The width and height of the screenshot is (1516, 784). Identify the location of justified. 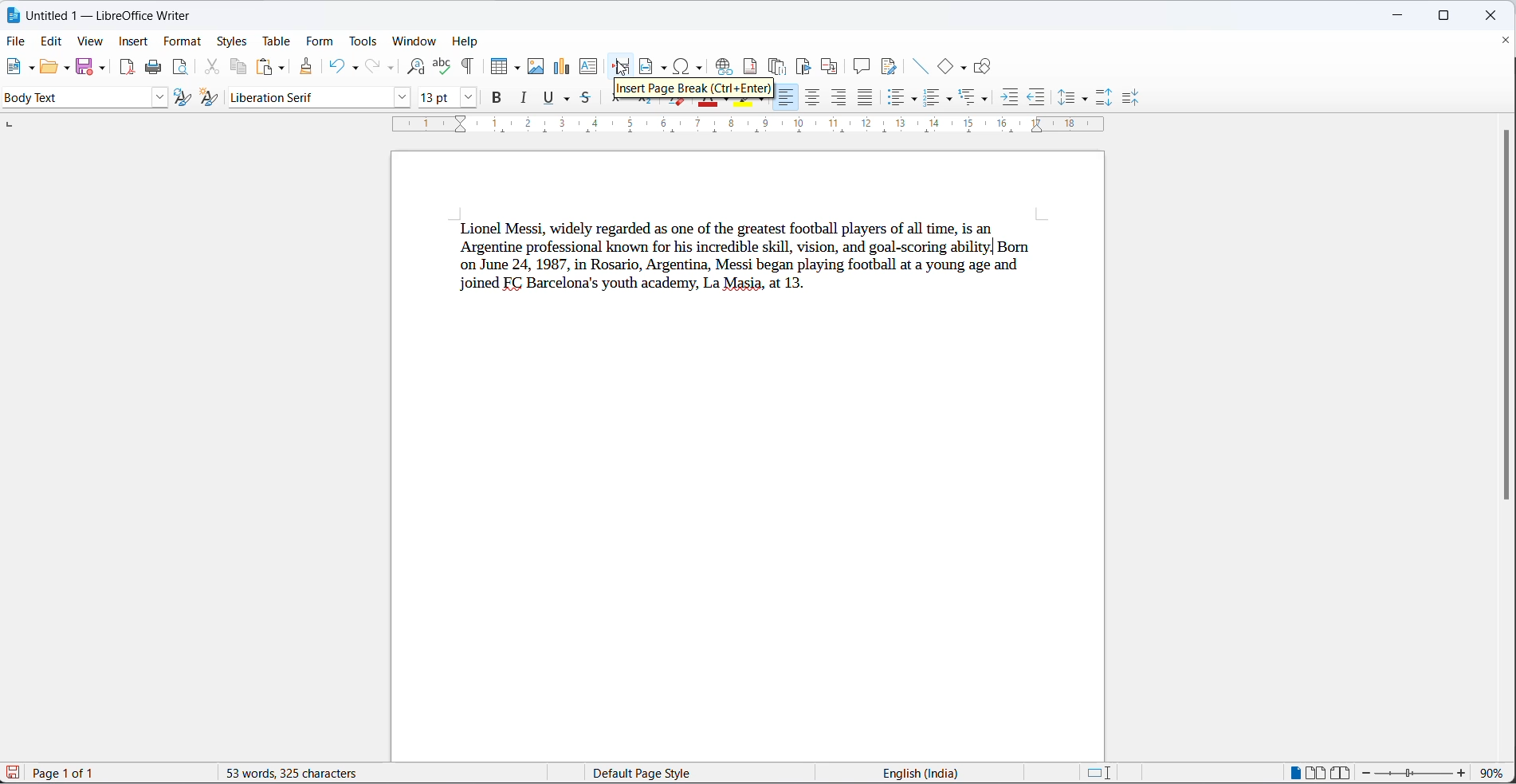
(866, 97).